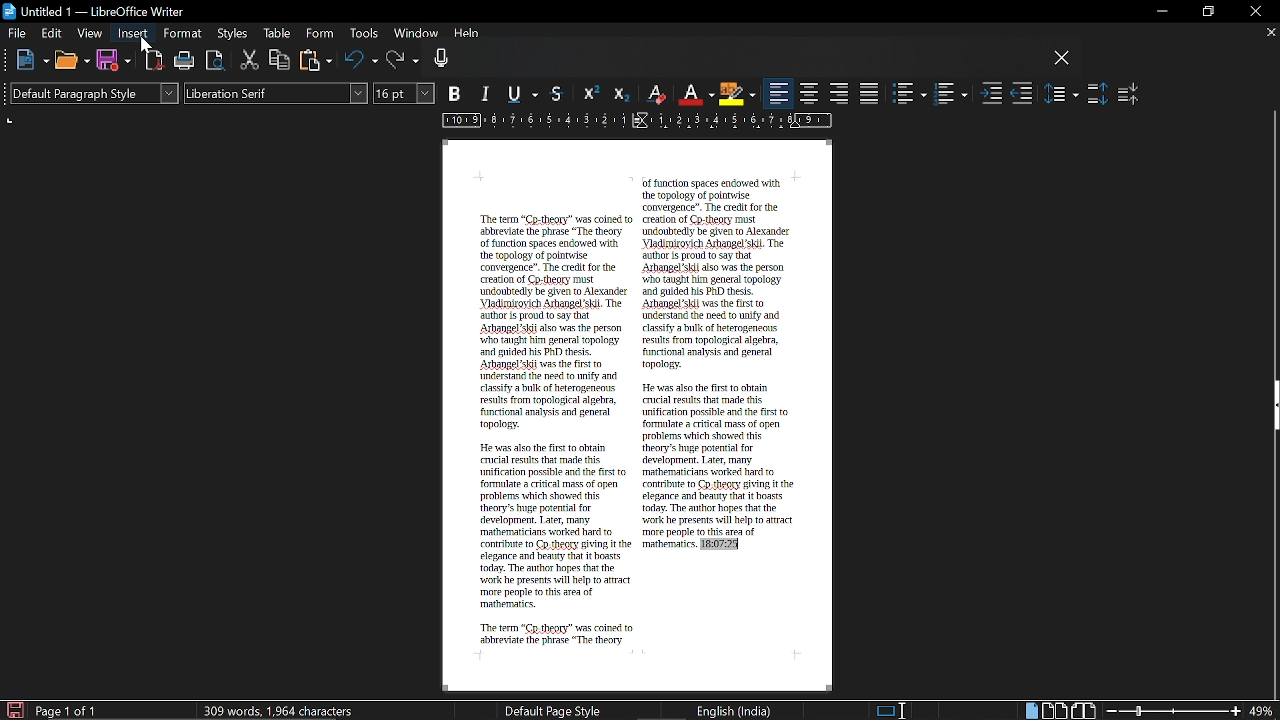 The image size is (1280, 720). I want to click on Book view, so click(1085, 710).